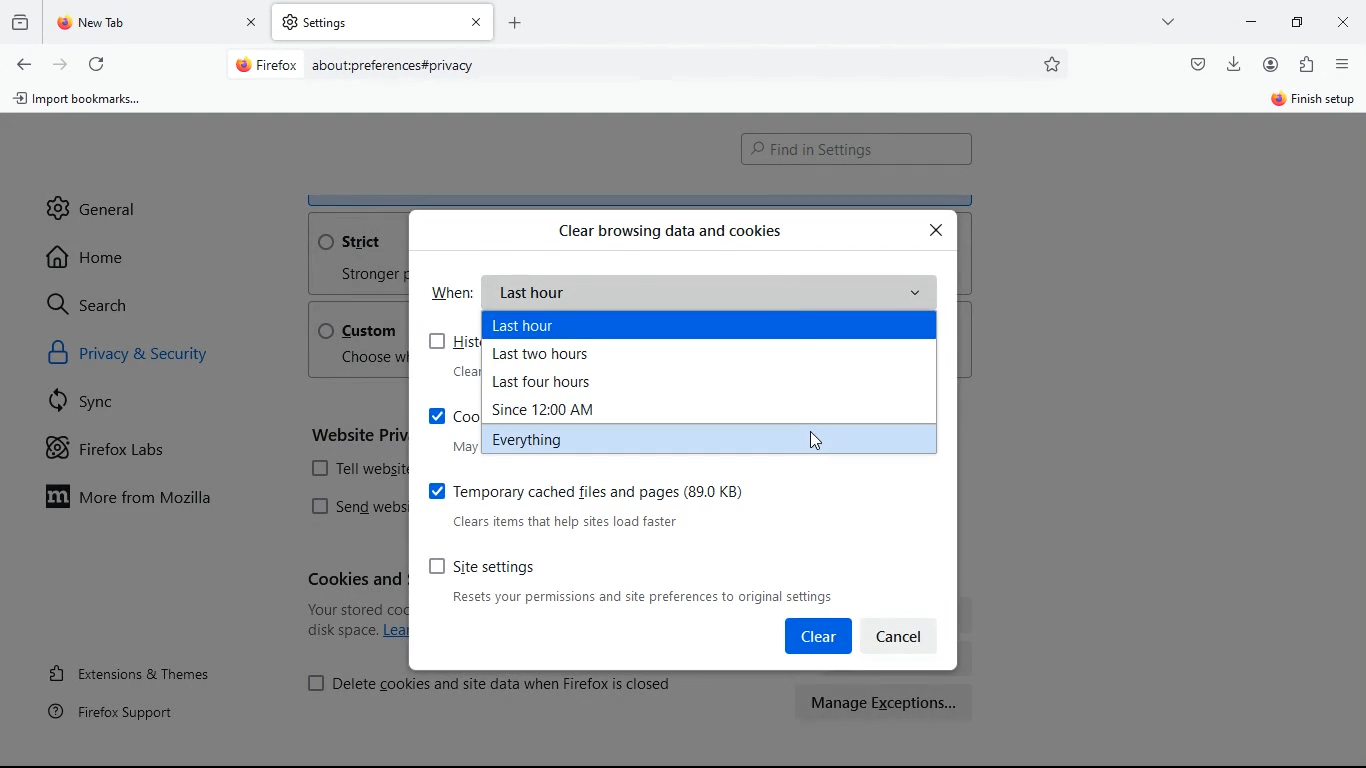 This screenshot has width=1366, height=768. Describe the element at coordinates (554, 409) in the screenshot. I see `since 12:00 AM` at that location.